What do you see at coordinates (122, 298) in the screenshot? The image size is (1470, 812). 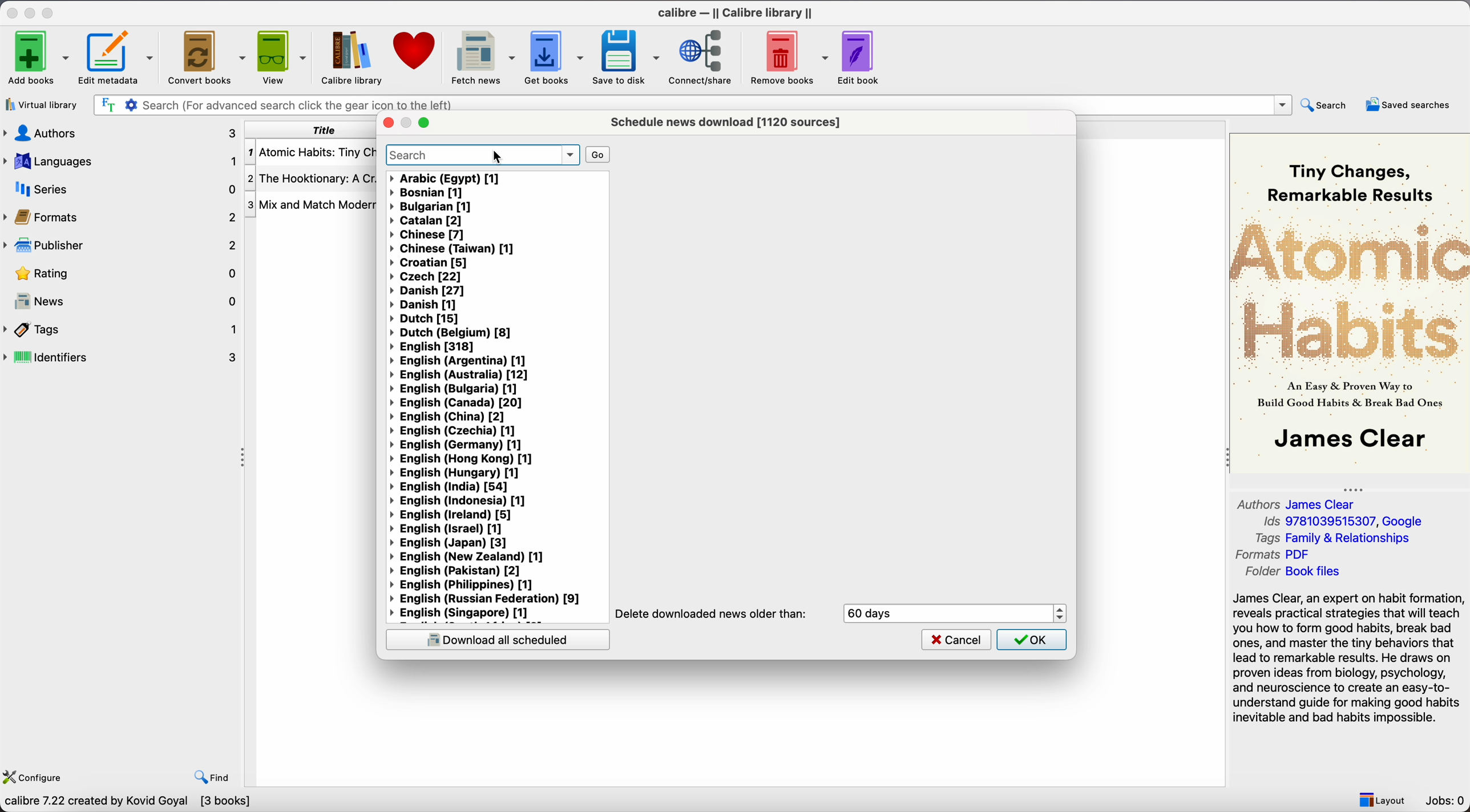 I see `news` at bounding box center [122, 298].